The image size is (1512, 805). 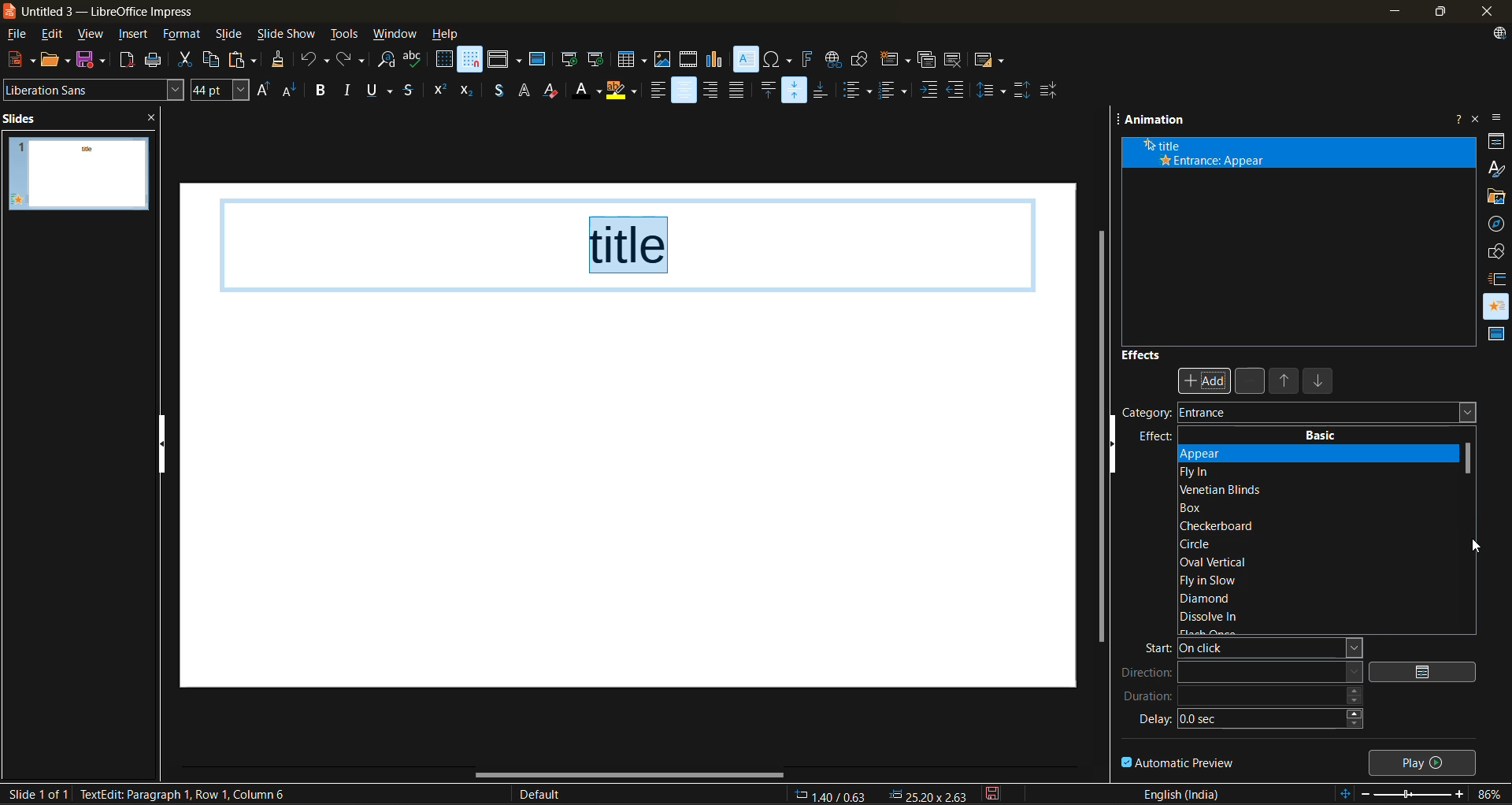 What do you see at coordinates (569, 61) in the screenshot?
I see `start from first slide` at bounding box center [569, 61].